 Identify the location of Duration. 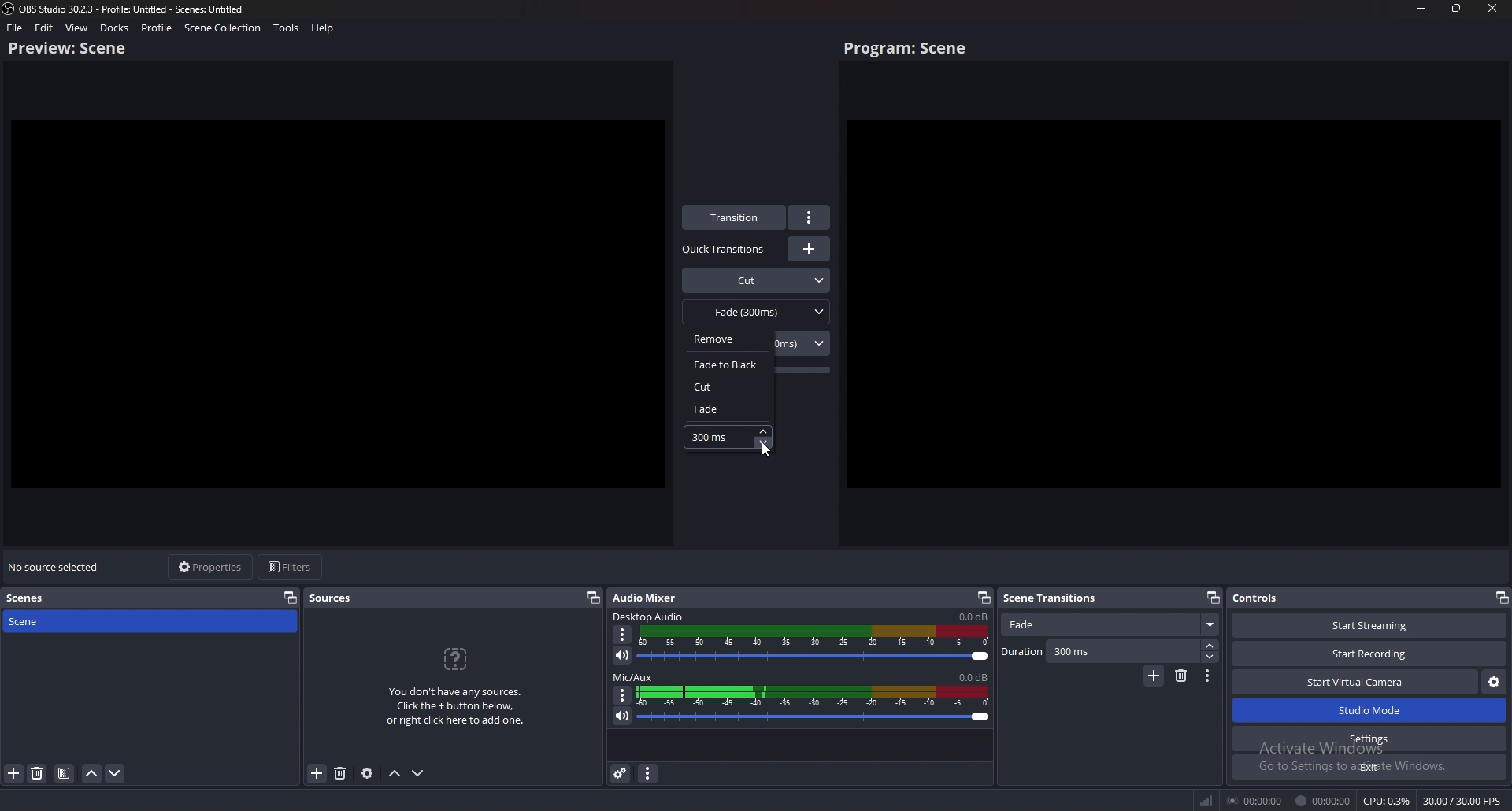
(1110, 652).